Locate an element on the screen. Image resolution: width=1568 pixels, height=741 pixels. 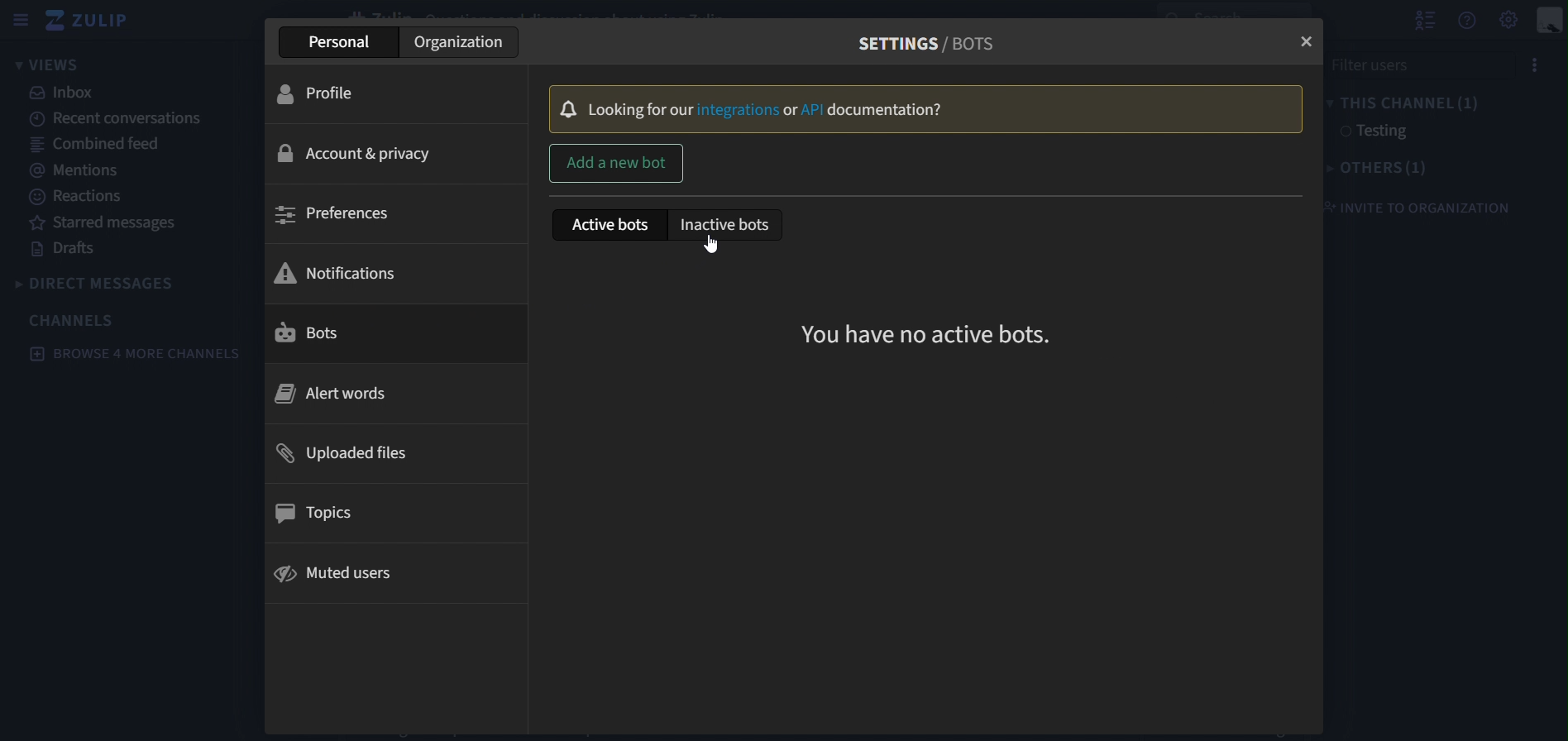
mentions is located at coordinates (73, 170).